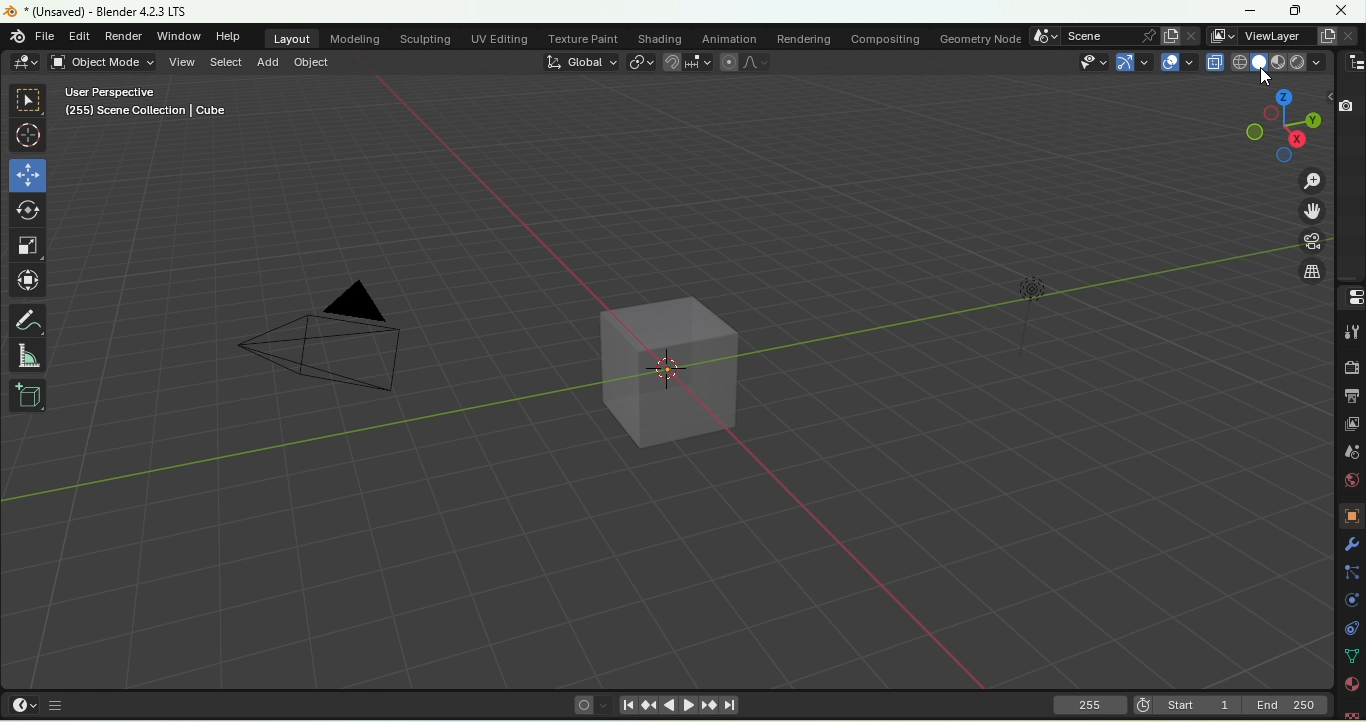 The height and width of the screenshot is (722, 1366). Describe the element at coordinates (1295, 138) in the screenshot. I see `Rotate view` at that location.